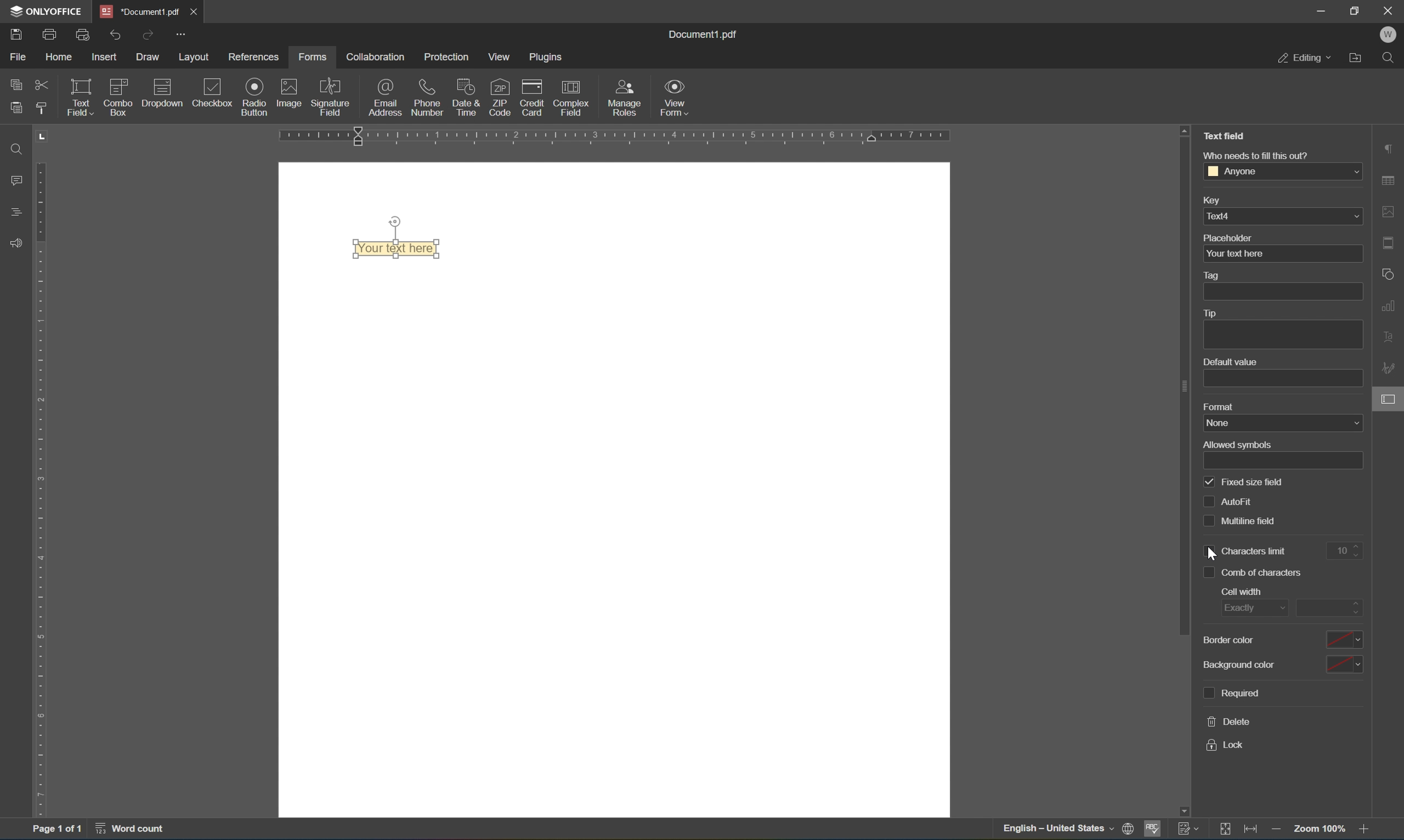 Image resolution: width=1404 pixels, height=840 pixels. I want to click on headings, so click(16, 216).